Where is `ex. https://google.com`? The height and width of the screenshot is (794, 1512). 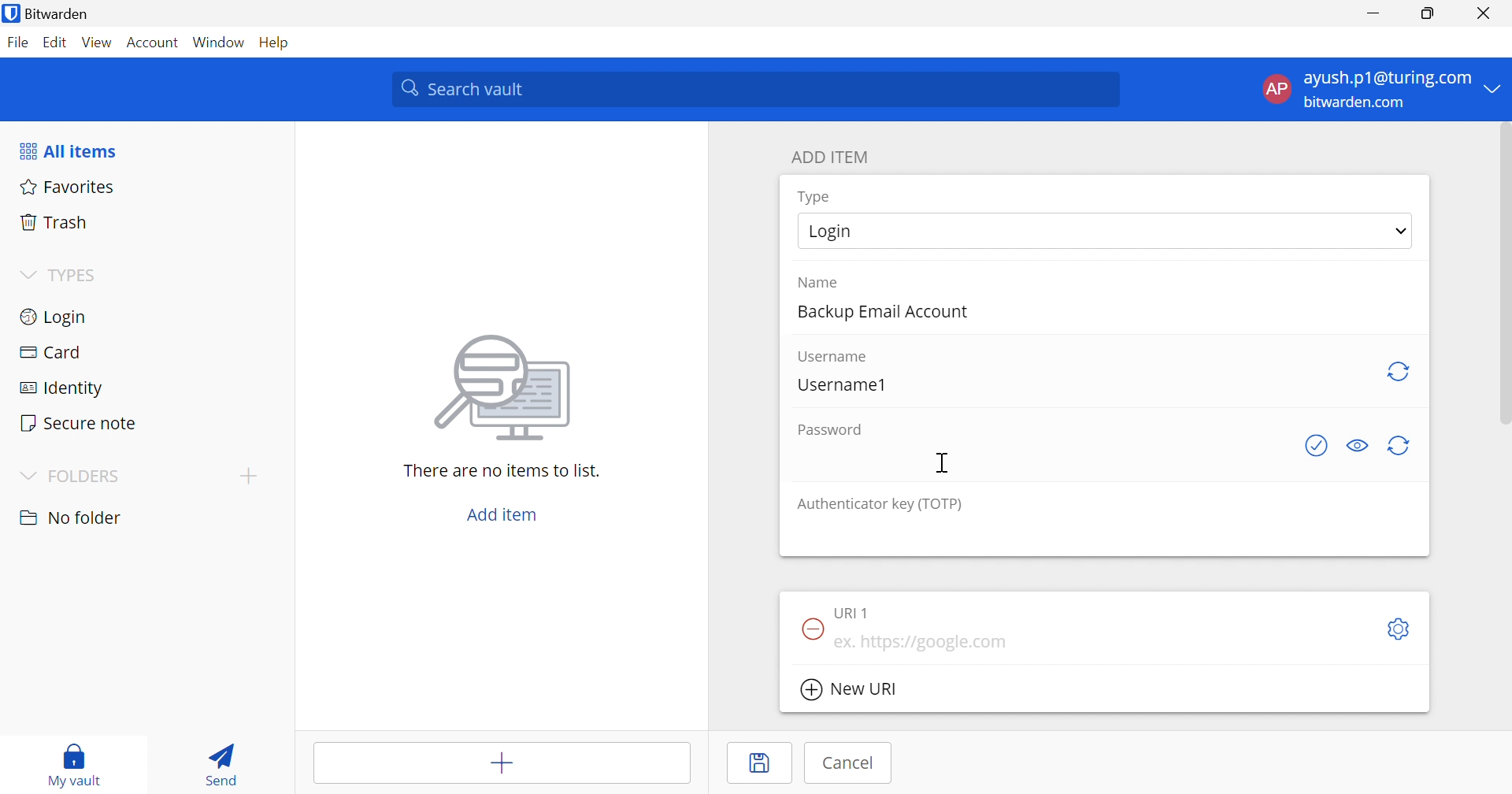
ex. https://google.com is located at coordinates (921, 642).